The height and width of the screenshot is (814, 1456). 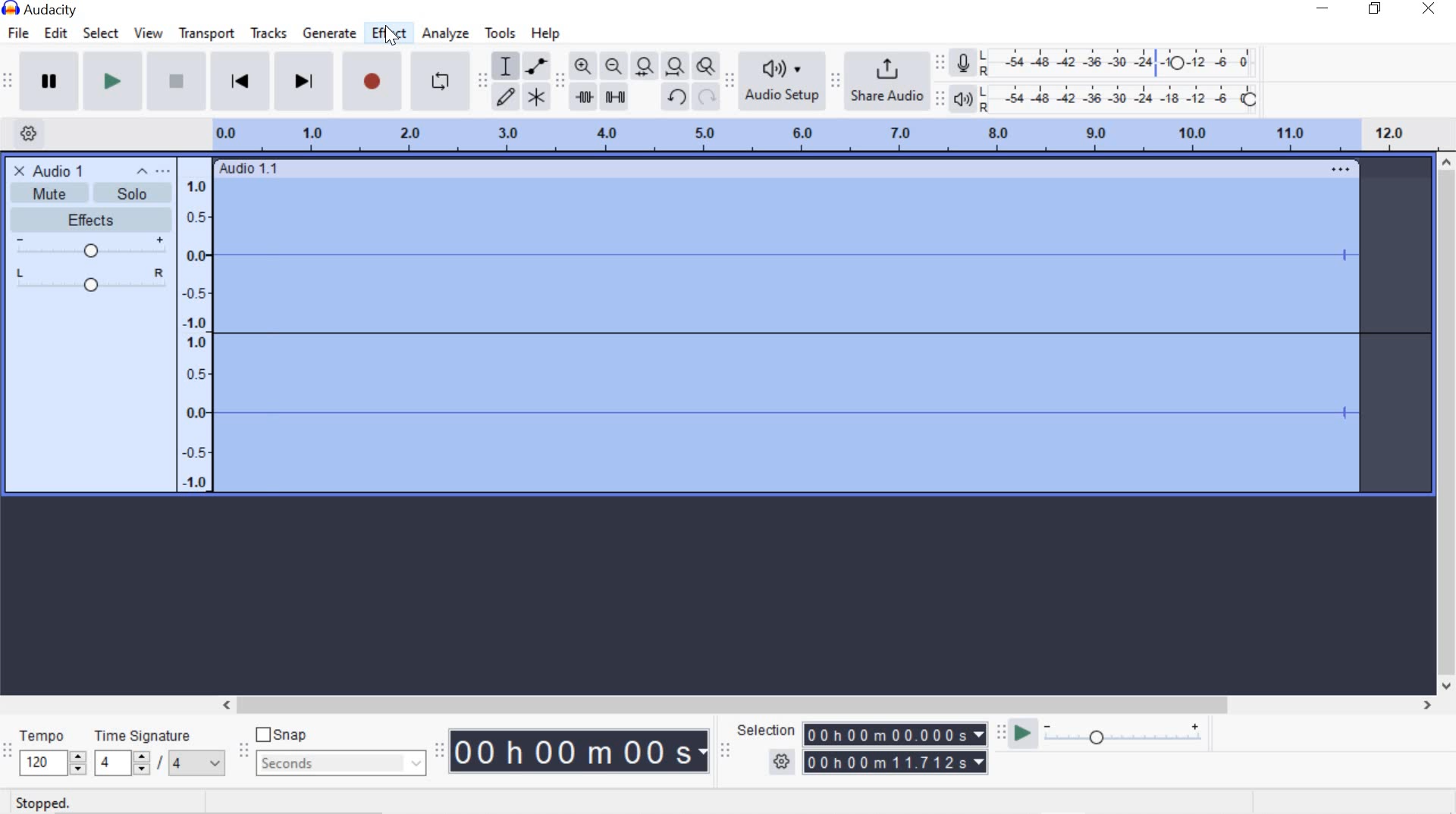 I want to click on Multi-tool, so click(x=537, y=96).